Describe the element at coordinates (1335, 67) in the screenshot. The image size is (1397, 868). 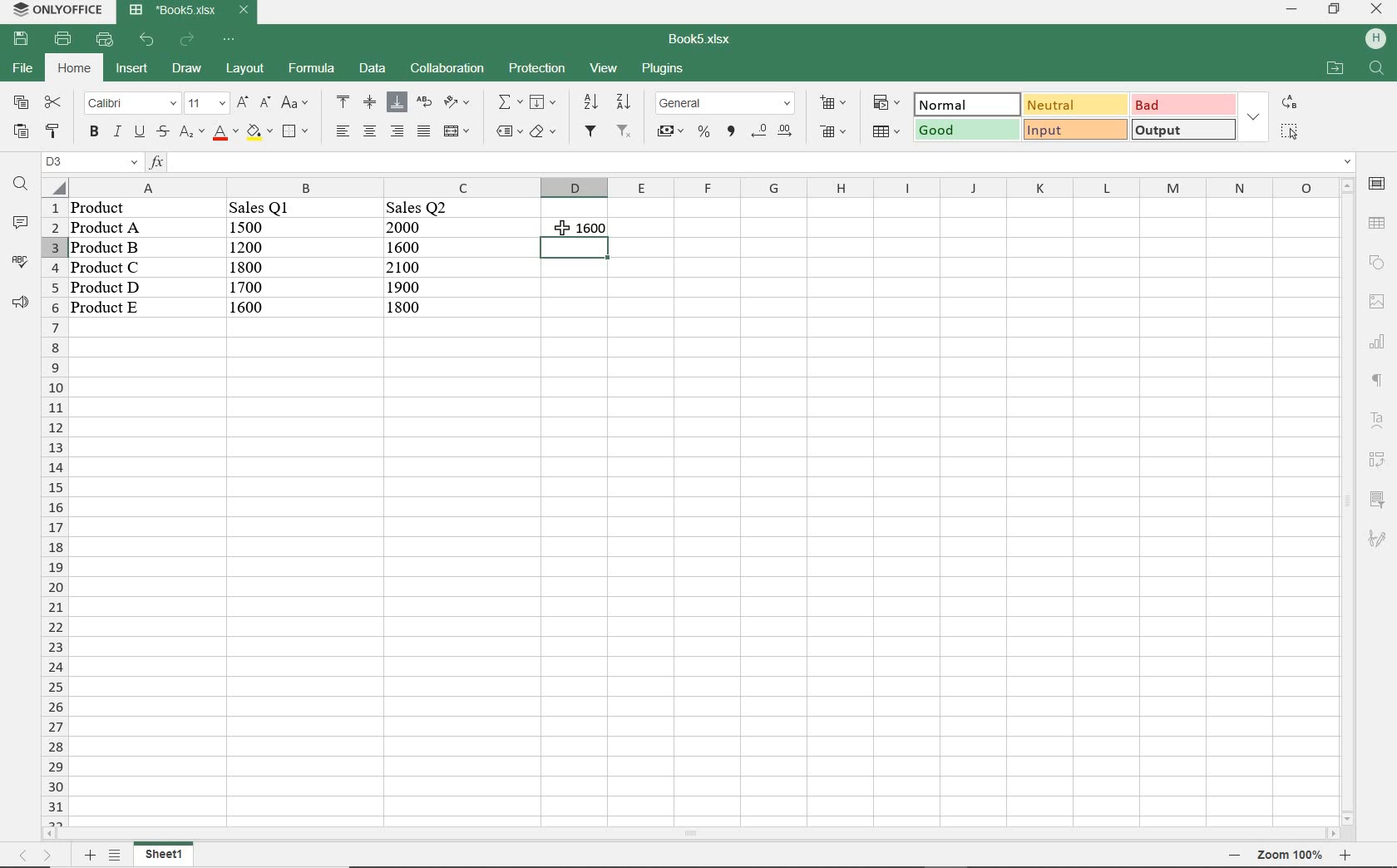
I see `open file location` at that location.